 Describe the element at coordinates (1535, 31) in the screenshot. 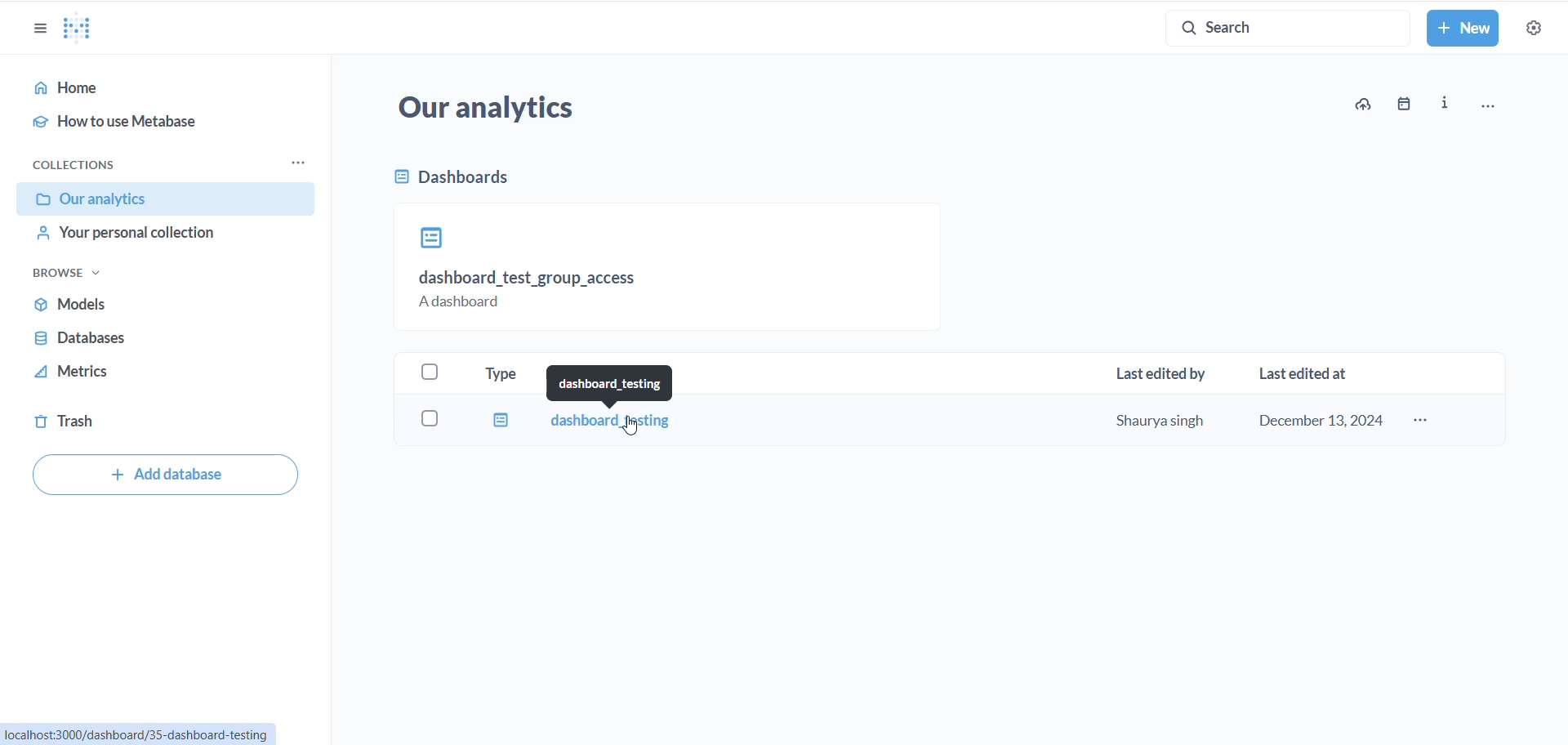

I see `setting` at that location.